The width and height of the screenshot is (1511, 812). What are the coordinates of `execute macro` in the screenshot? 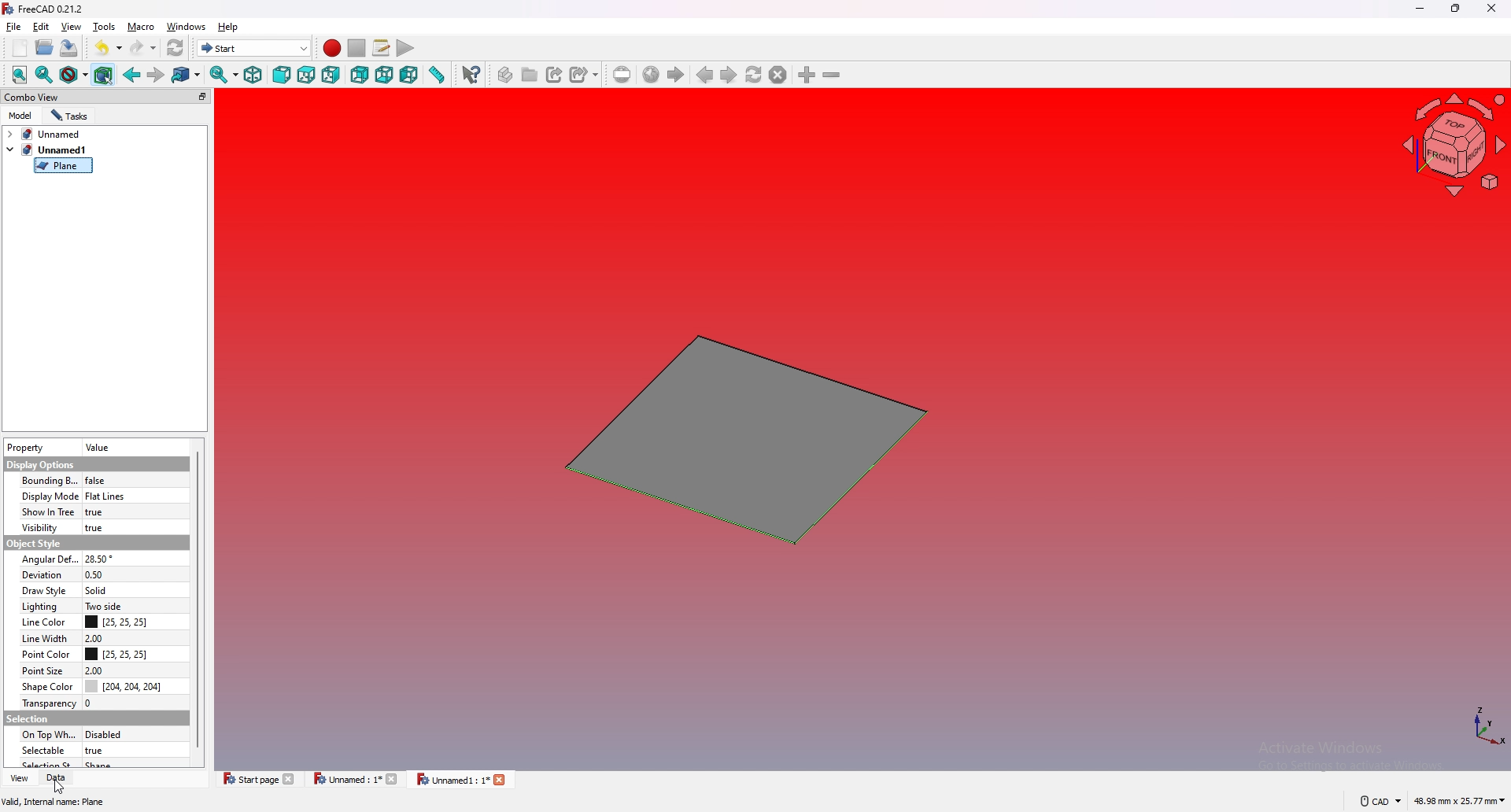 It's located at (406, 48).